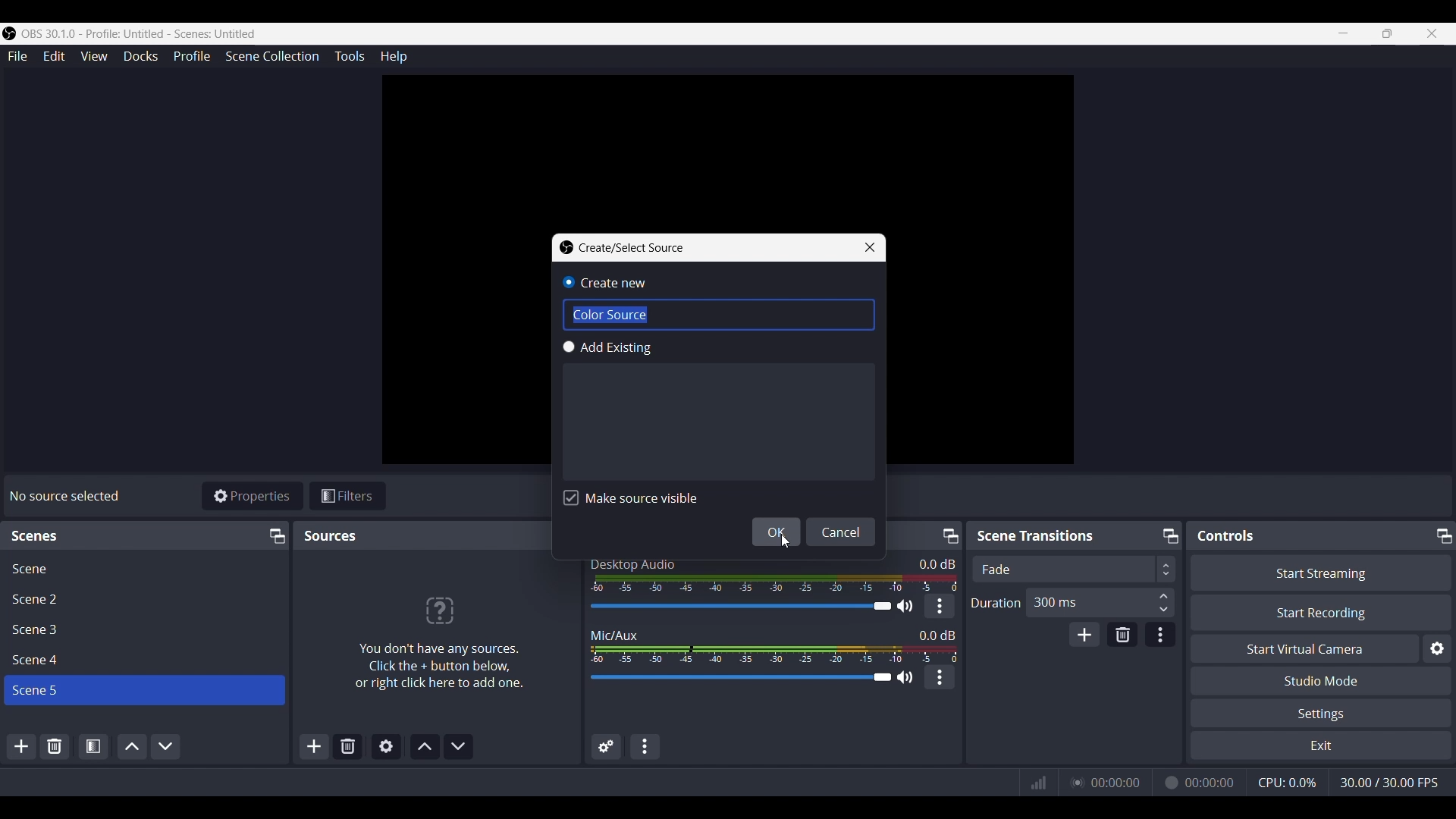 This screenshot has width=1456, height=819. Describe the element at coordinates (165, 746) in the screenshot. I see `Move Scene Down` at that location.